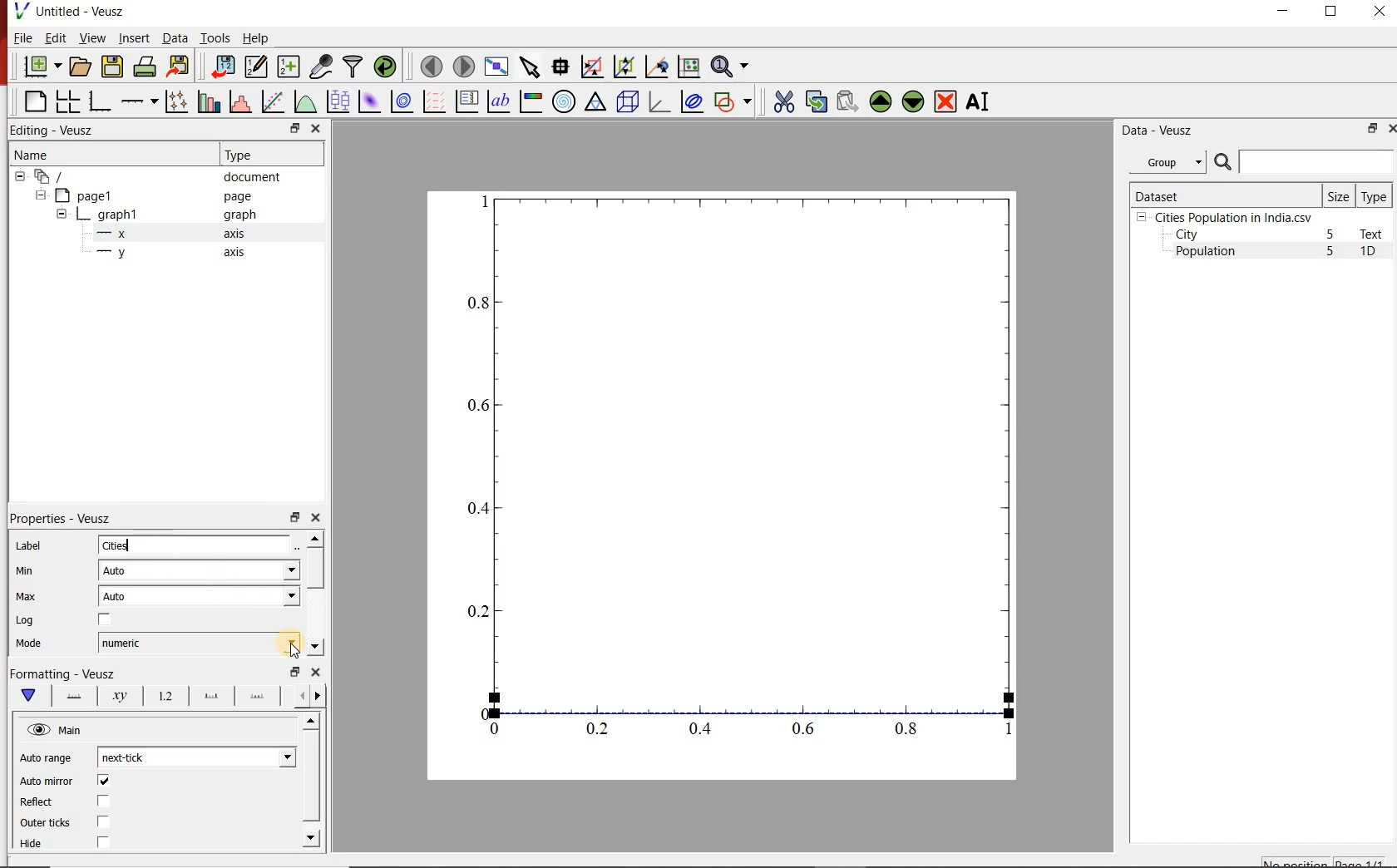 Image resolution: width=1397 pixels, height=868 pixels. I want to click on Reflect, so click(42, 801).